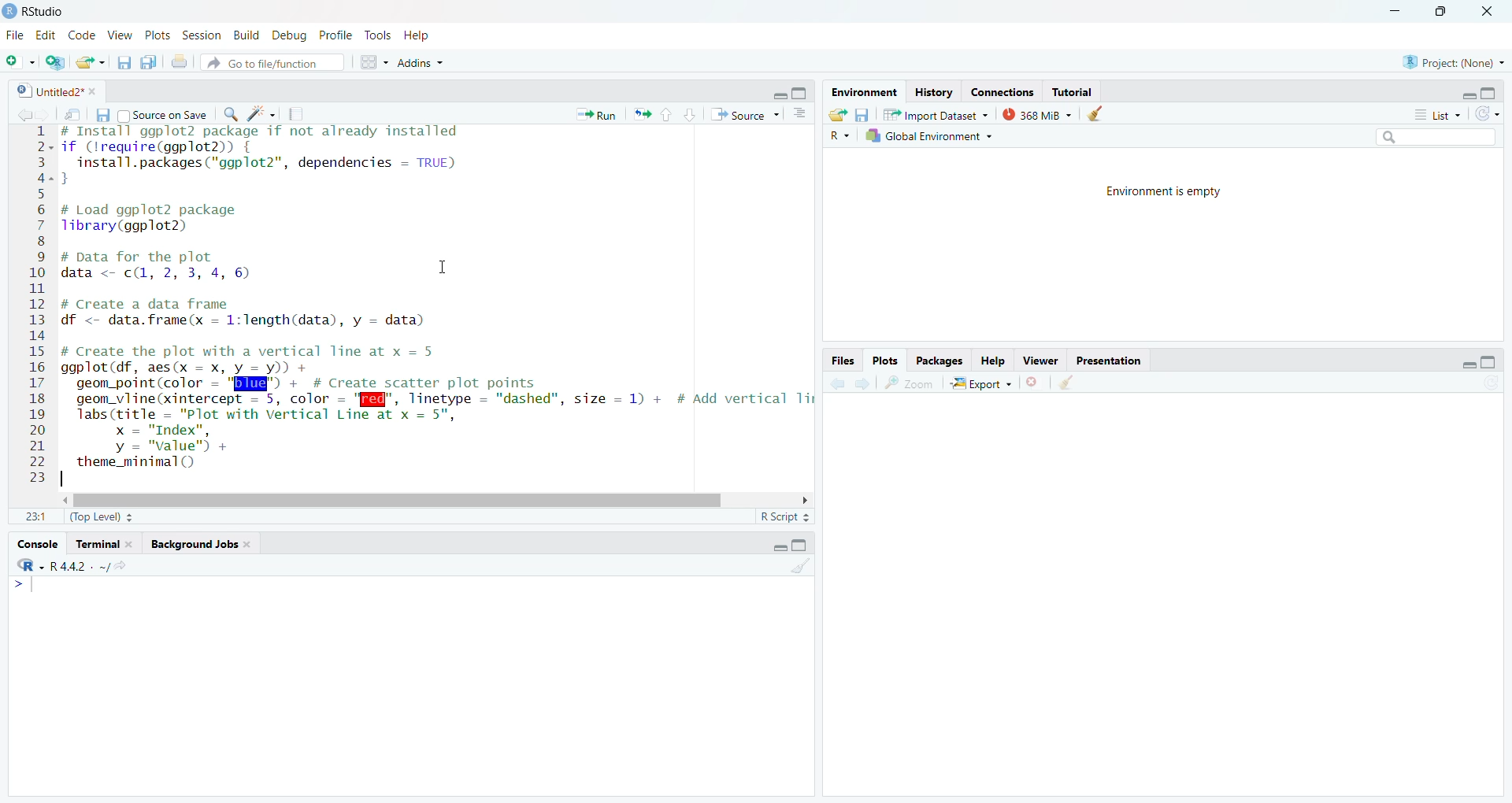  What do you see at coordinates (1449, 60) in the screenshot?
I see `Project: (None)` at bounding box center [1449, 60].